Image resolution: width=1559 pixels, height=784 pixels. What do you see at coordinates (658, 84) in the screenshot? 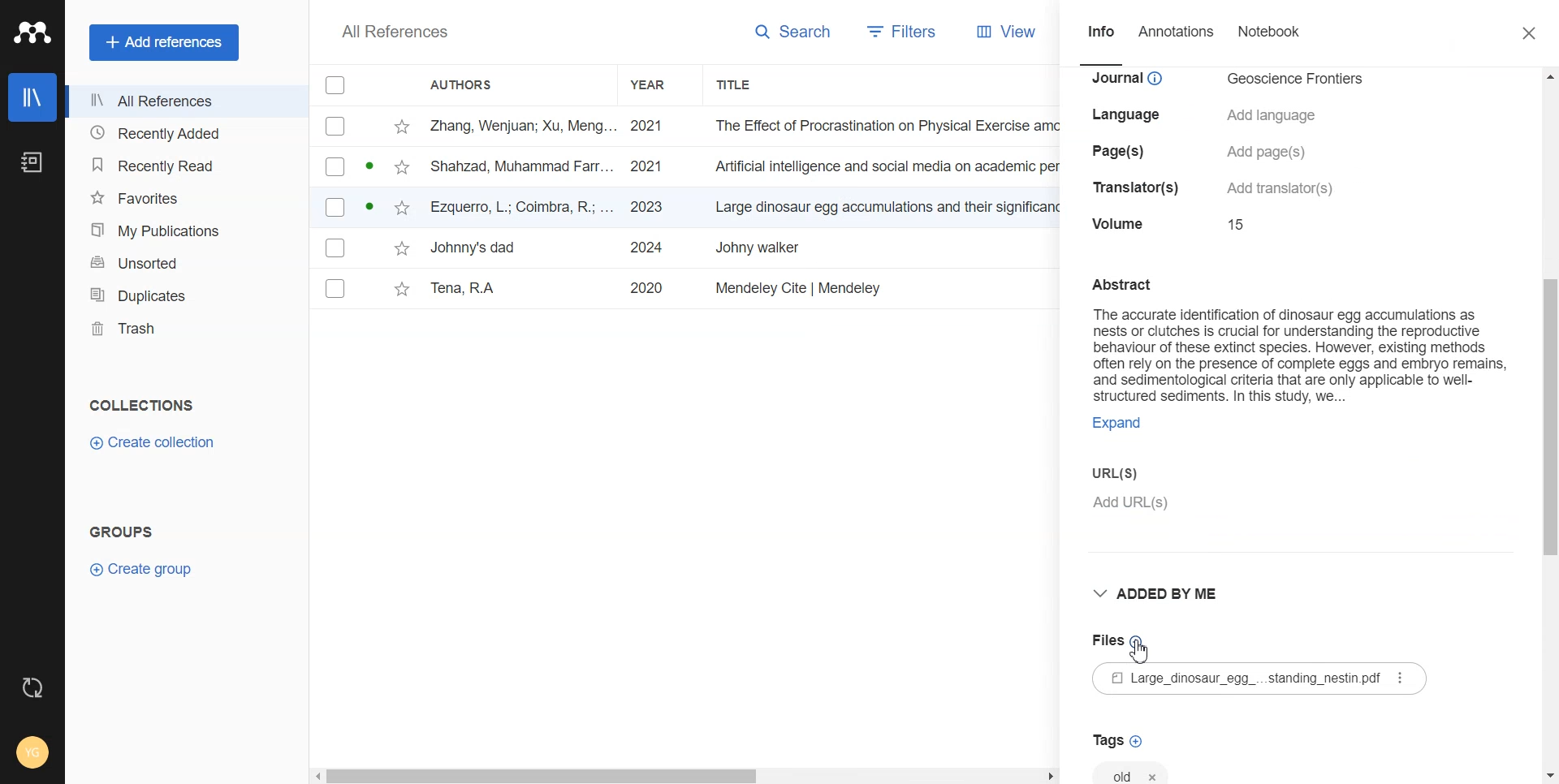
I see `Year` at bounding box center [658, 84].